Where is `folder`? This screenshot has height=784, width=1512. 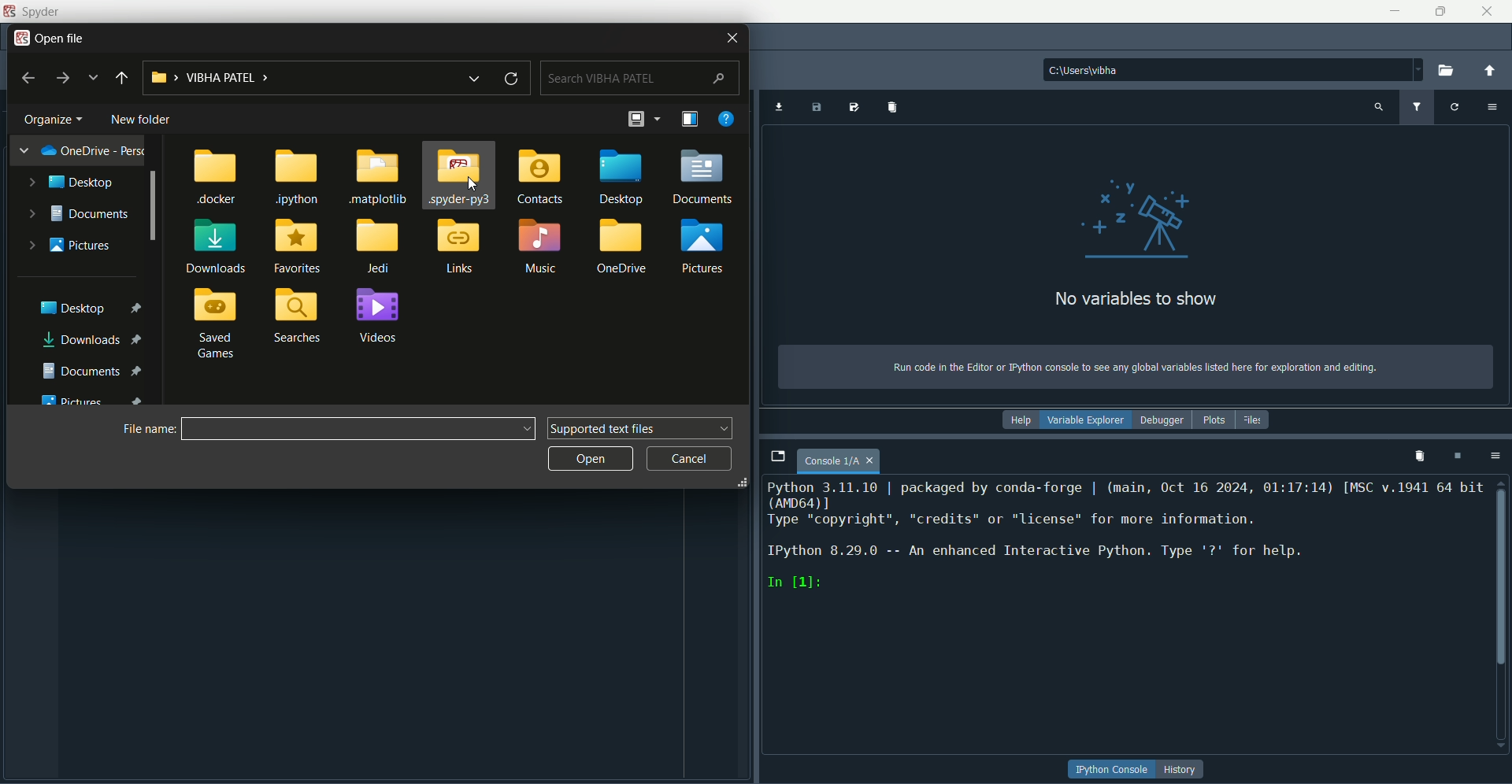
folder is located at coordinates (624, 246).